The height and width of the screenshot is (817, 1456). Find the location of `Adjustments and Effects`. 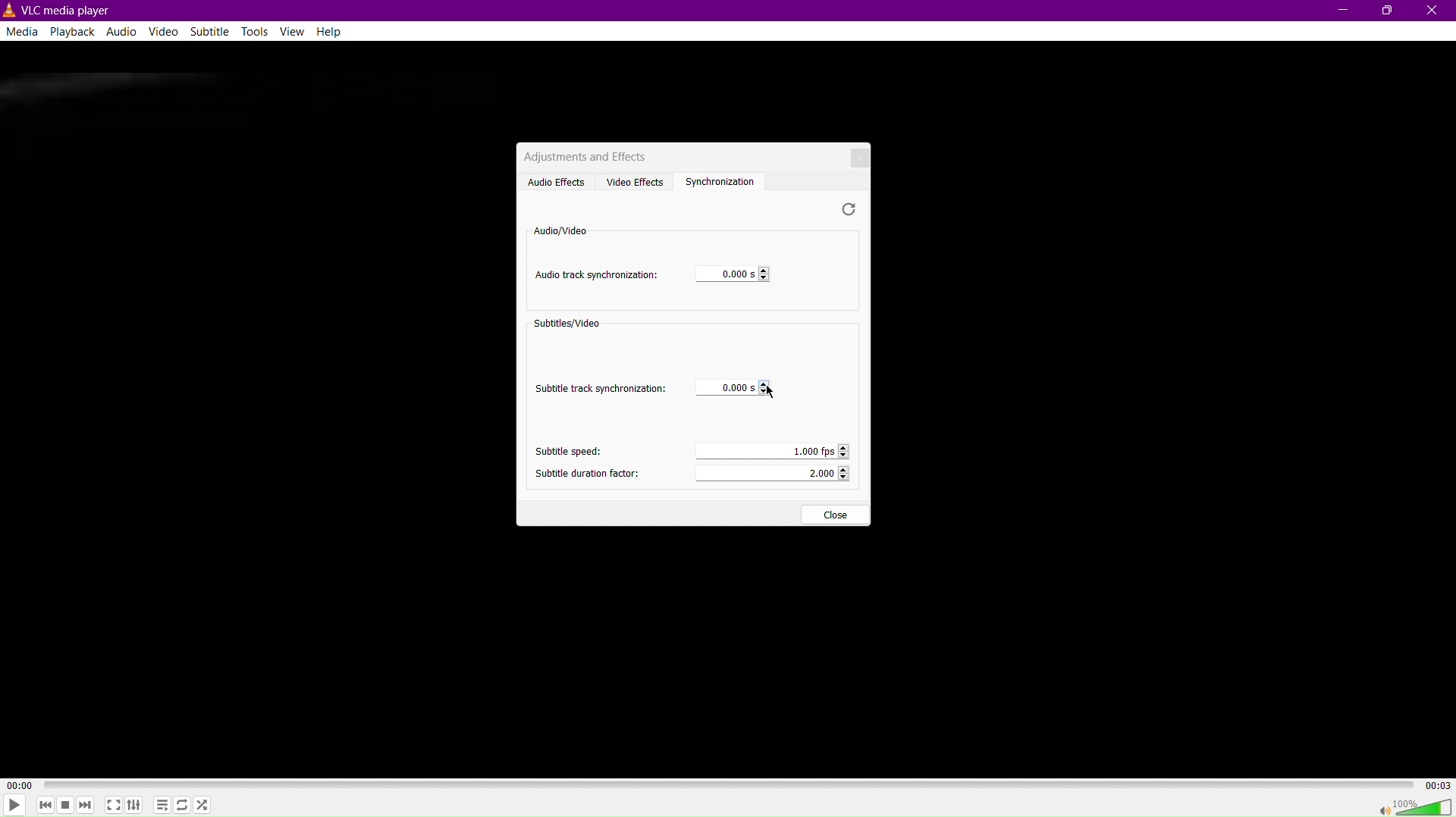

Adjustments and Effects is located at coordinates (585, 155).